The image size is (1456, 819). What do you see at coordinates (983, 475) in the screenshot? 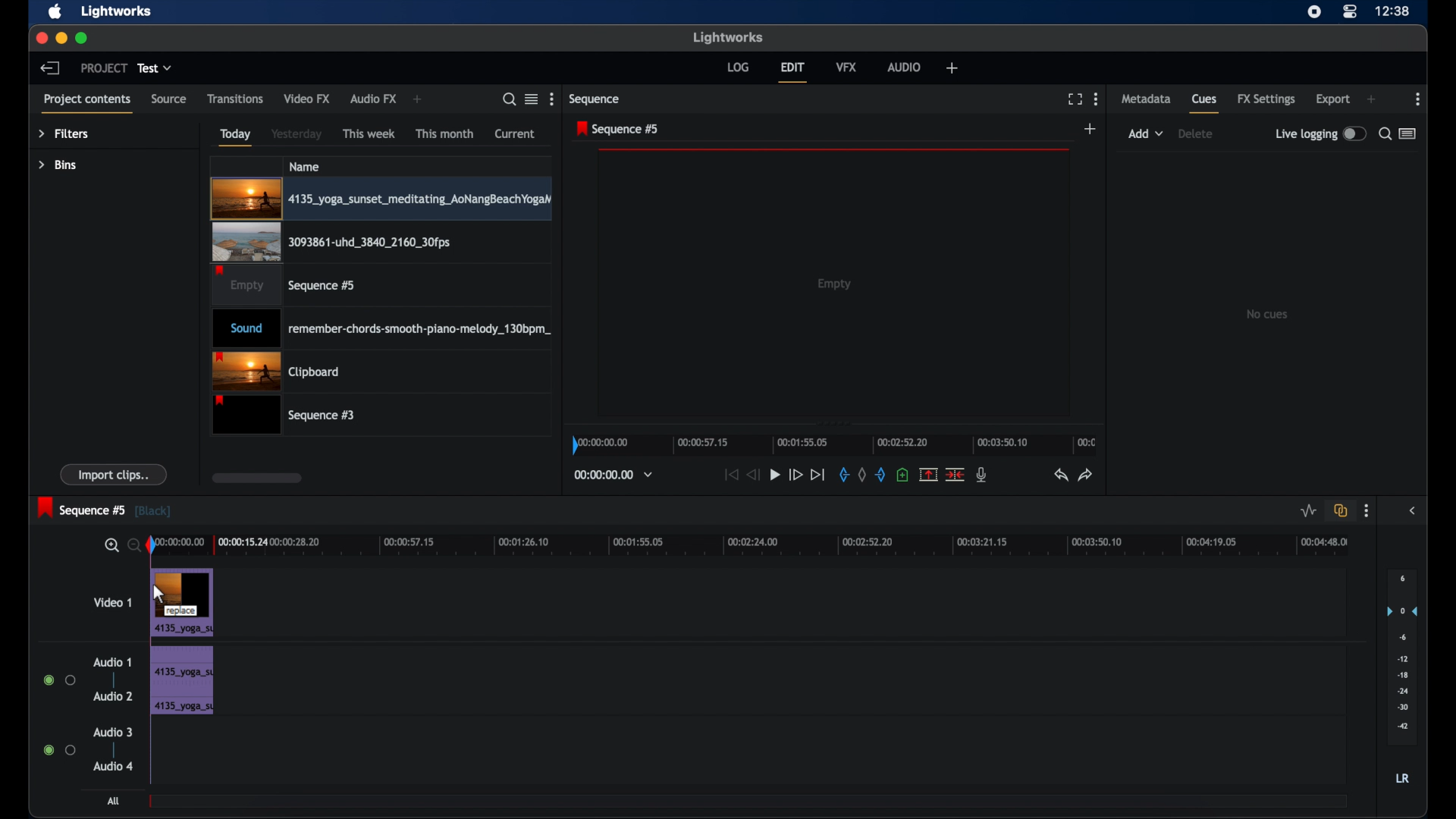
I see `mic` at bounding box center [983, 475].